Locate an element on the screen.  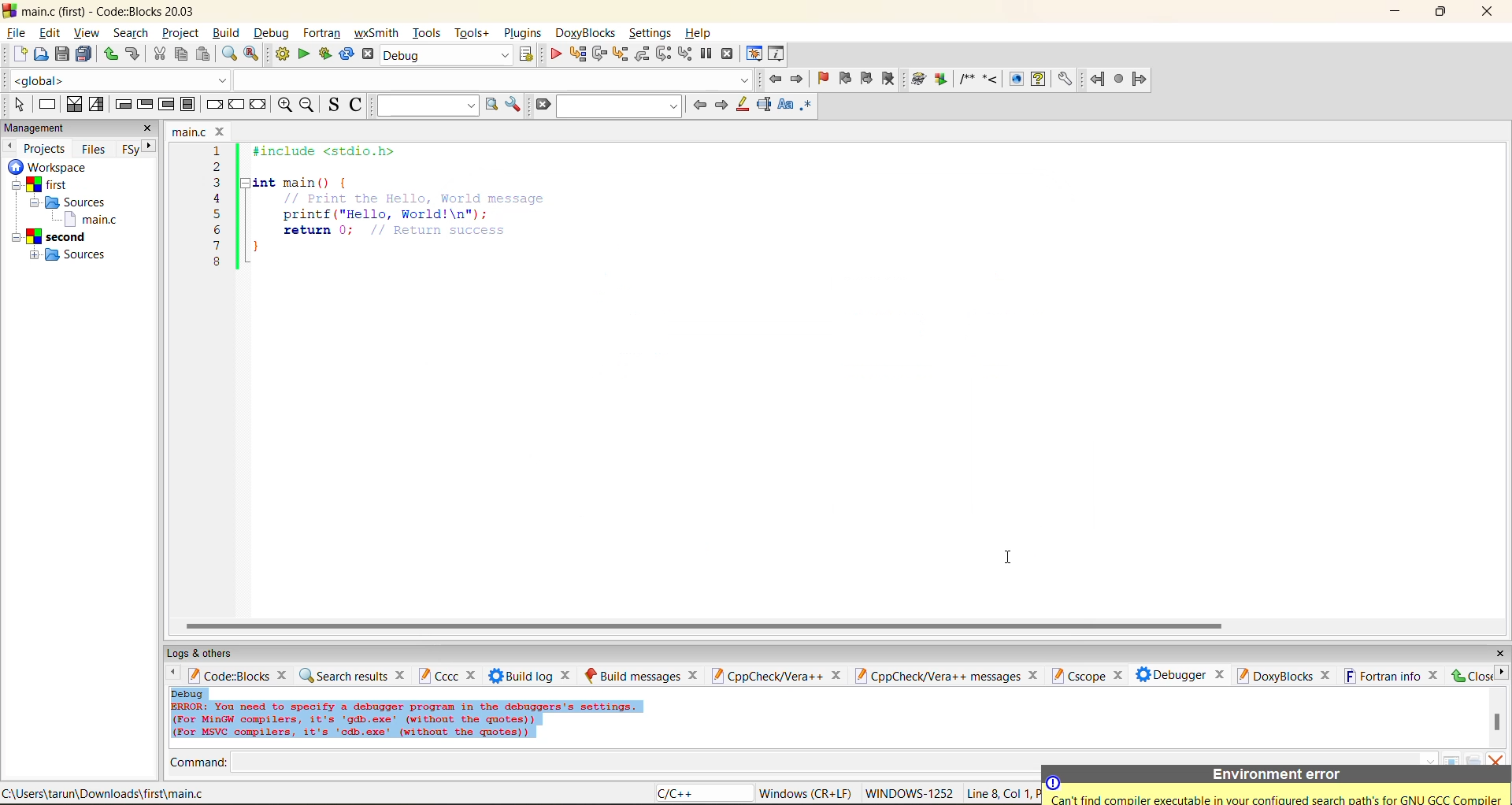
Fsy is located at coordinates (129, 150).